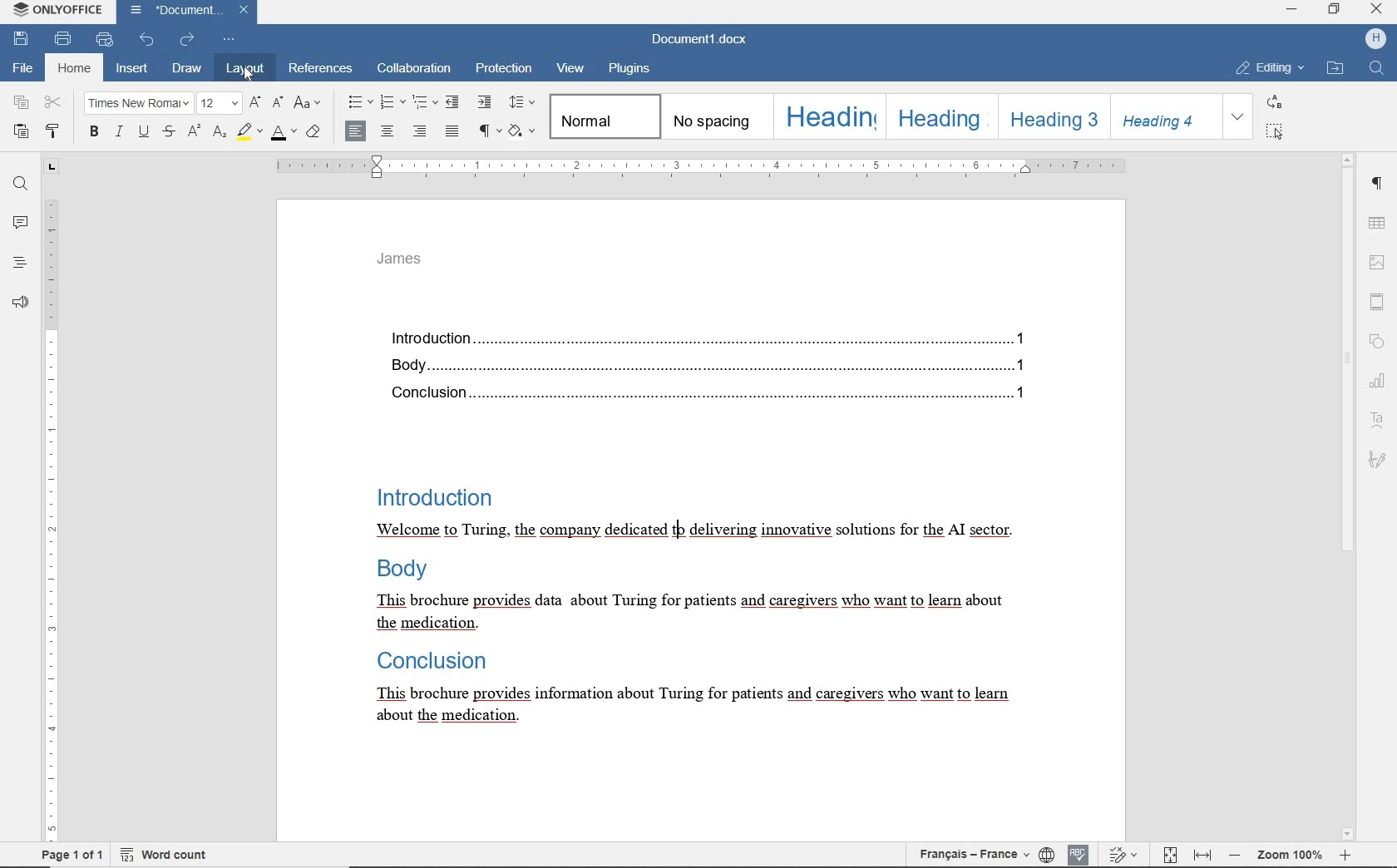 The width and height of the screenshot is (1397, 868). What do you see at coordinates (704, 167) in the screenshot?
I see `ruler` at bounding box center [704, 167].